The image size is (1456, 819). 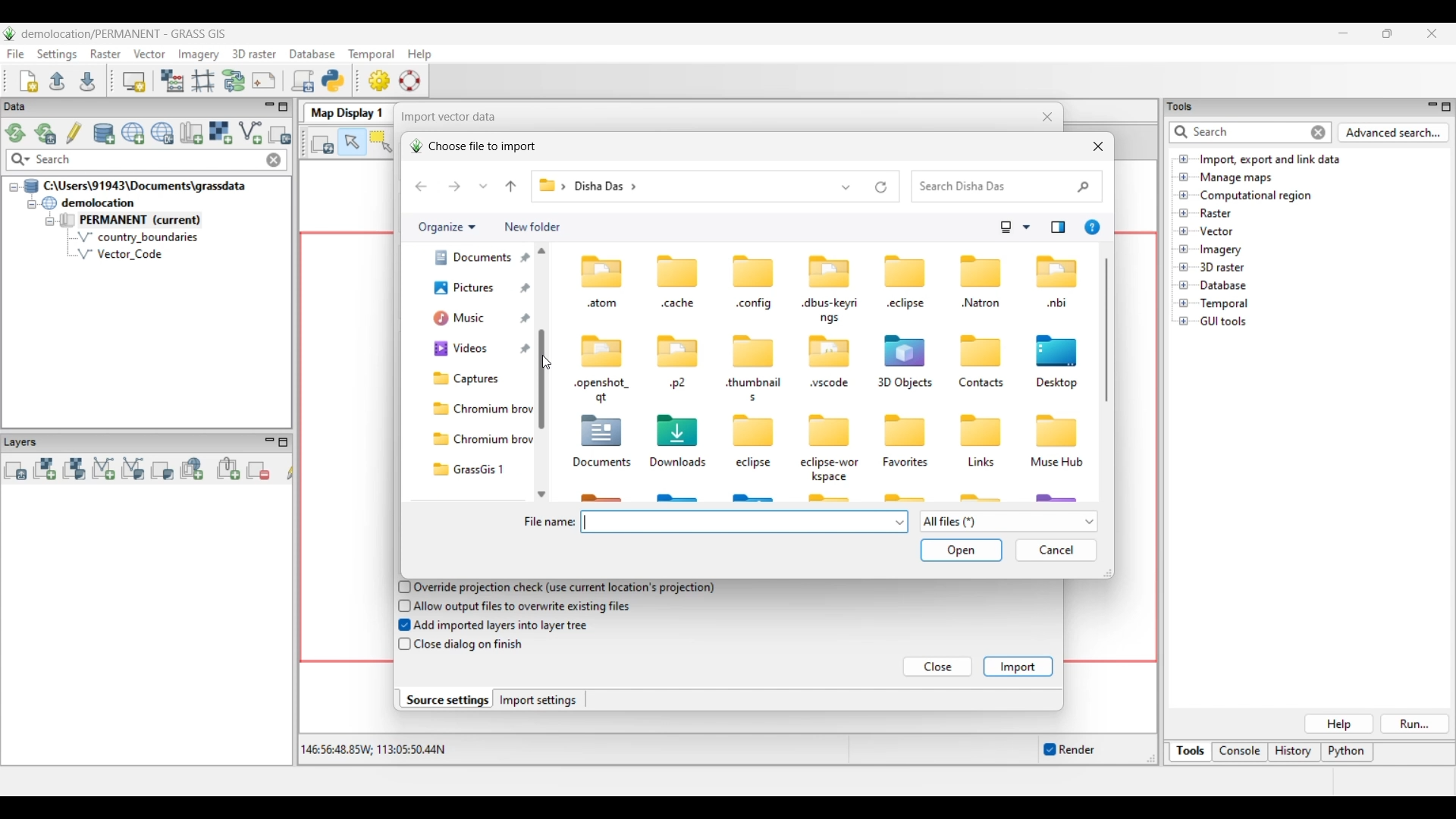 I want to click on Minimize, so click(x=1343, y=33).